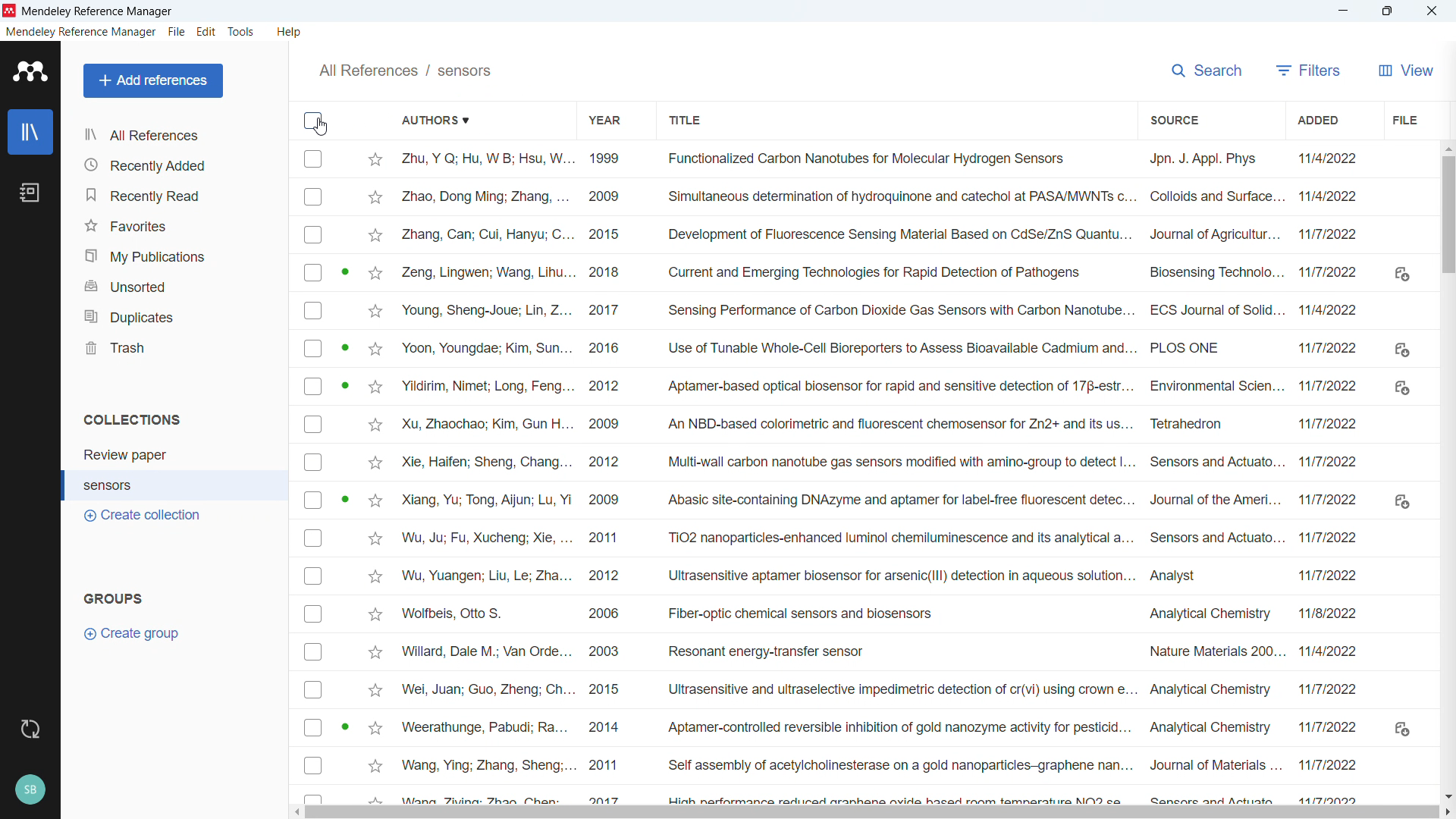  I want to click on trash, so click(173, 347).